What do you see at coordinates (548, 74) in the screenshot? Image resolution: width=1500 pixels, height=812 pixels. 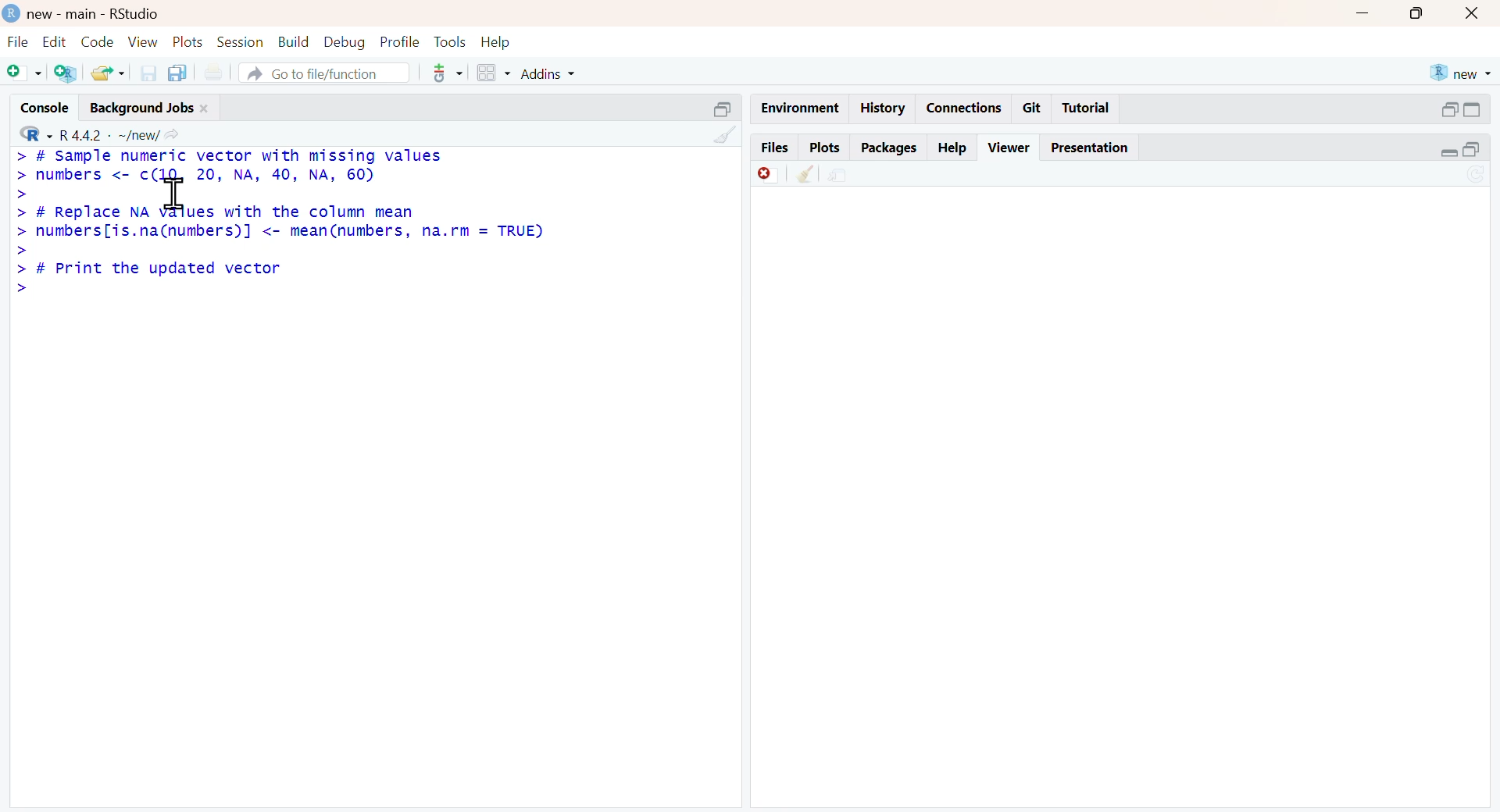 I see `addins` at bounding box center [548, 74].